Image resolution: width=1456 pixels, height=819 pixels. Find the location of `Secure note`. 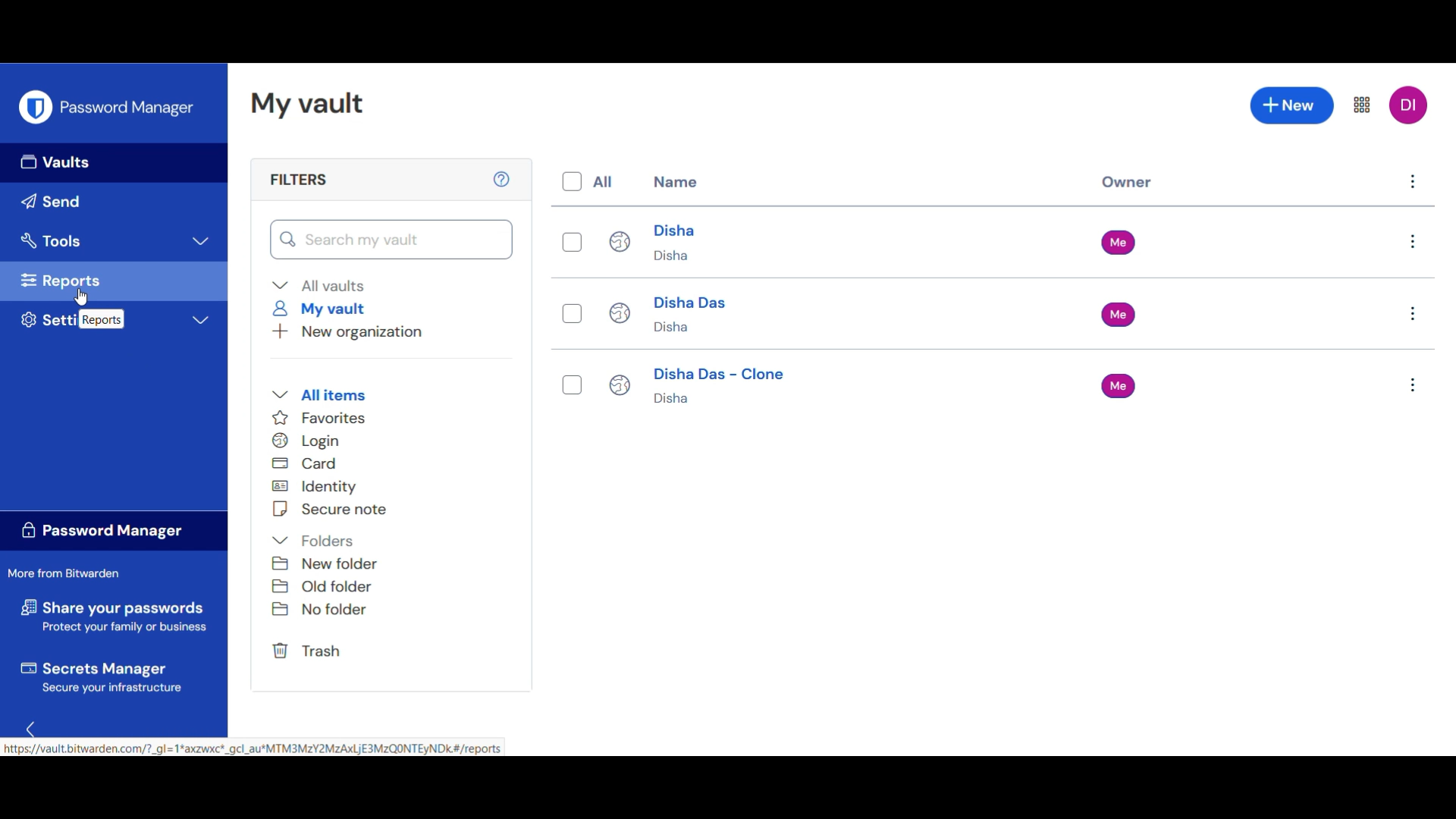

Secure note is located at coordinates (331, 509).